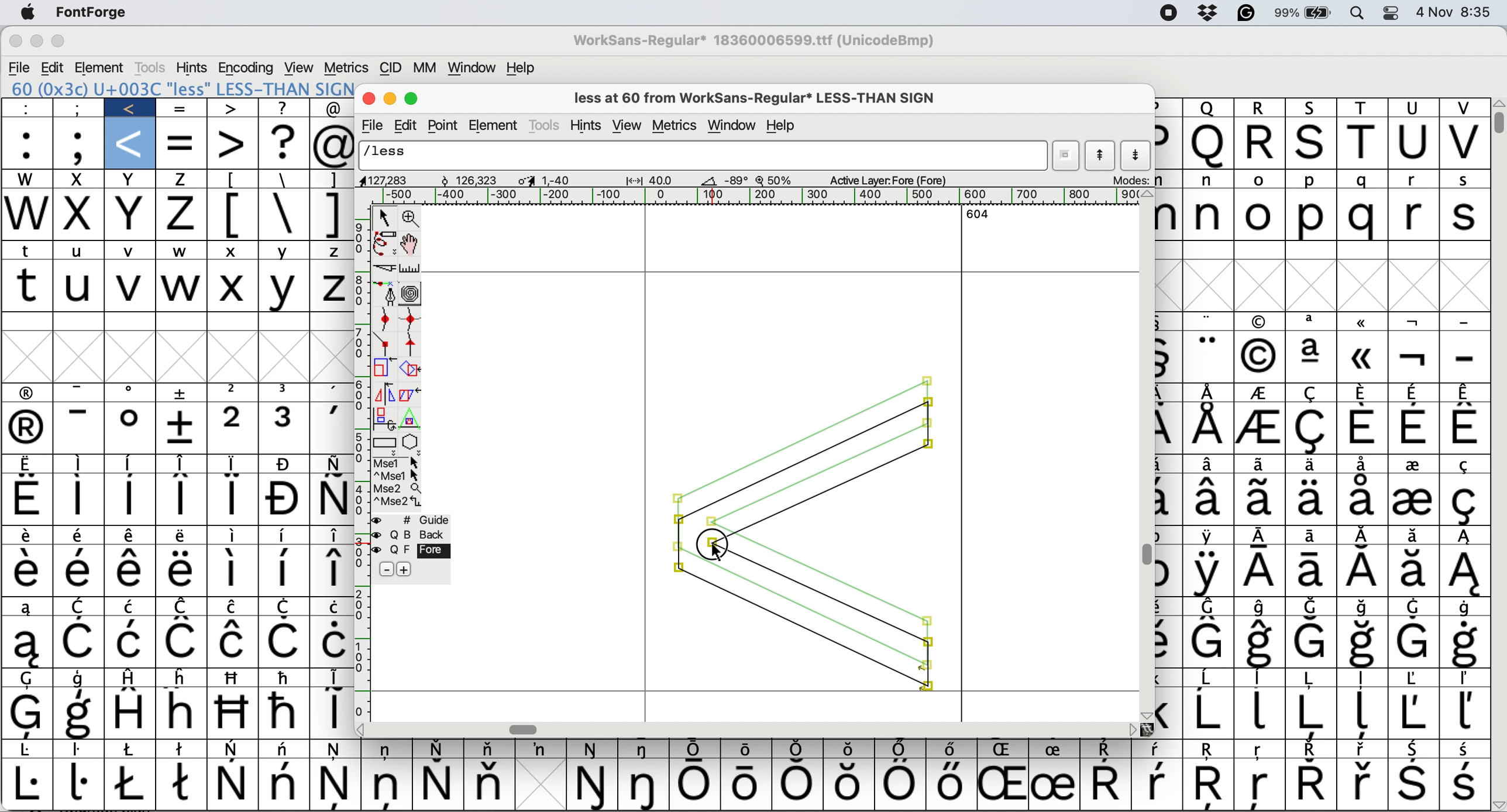 The width and height of the screenshot is (1507, 812). What do you see at coordinates (83, 751) in the screenshot?
I see `Symbol` at bounding box center [83, 751].